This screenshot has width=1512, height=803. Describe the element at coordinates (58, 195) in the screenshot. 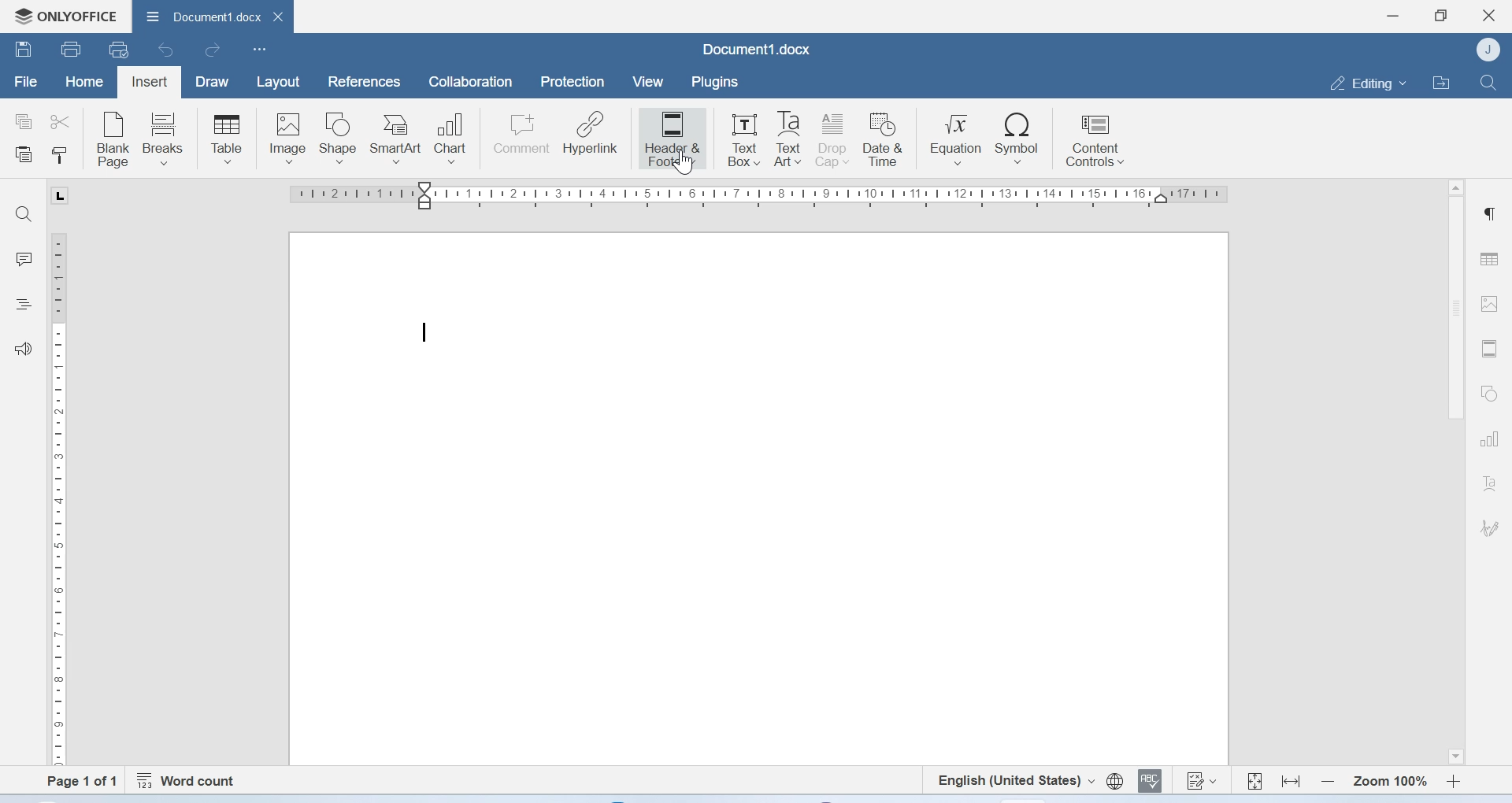

I see `L` at that location.